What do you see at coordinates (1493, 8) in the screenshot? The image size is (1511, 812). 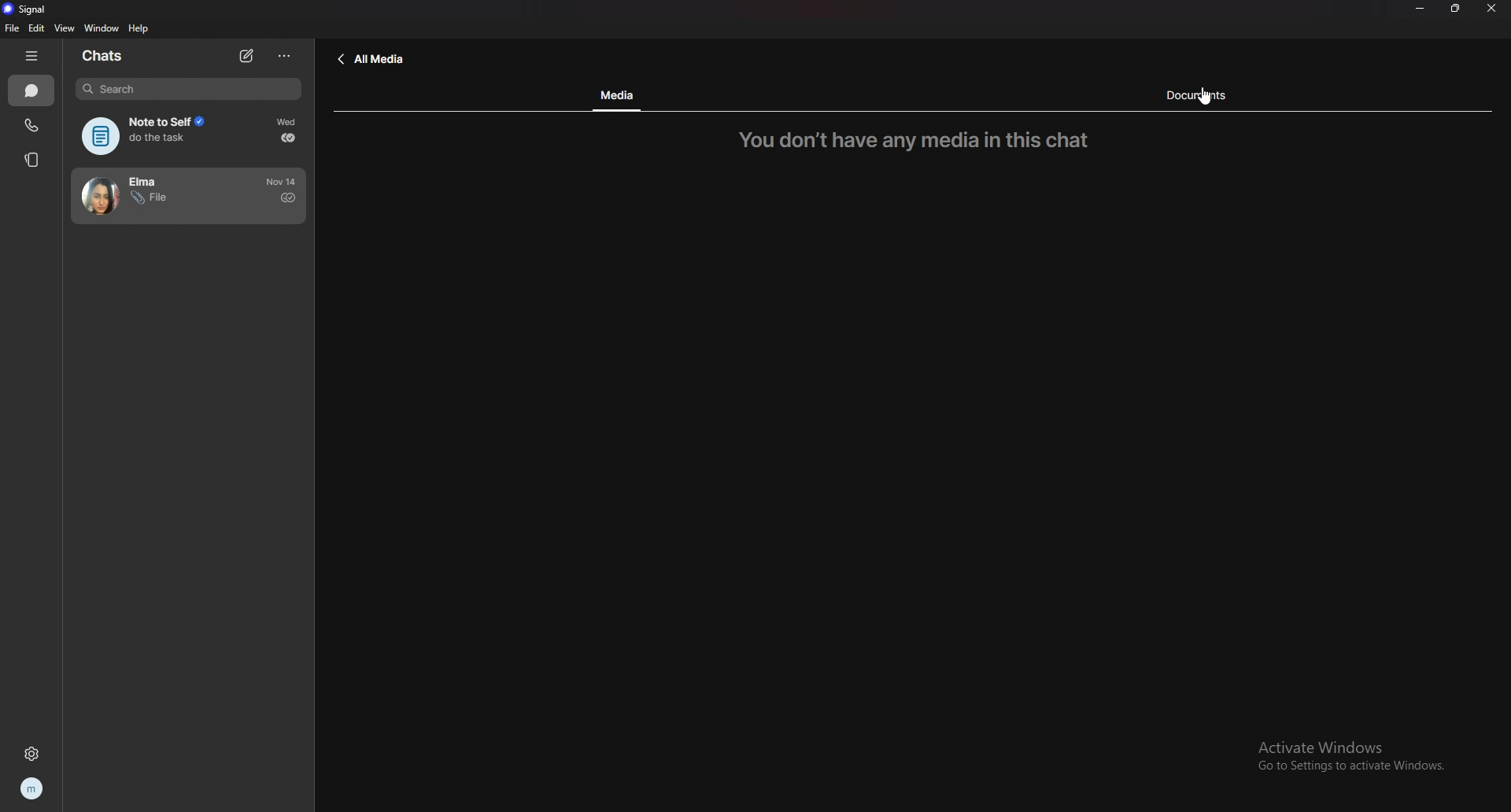 I see `close` at bounding box center [1493, 8].